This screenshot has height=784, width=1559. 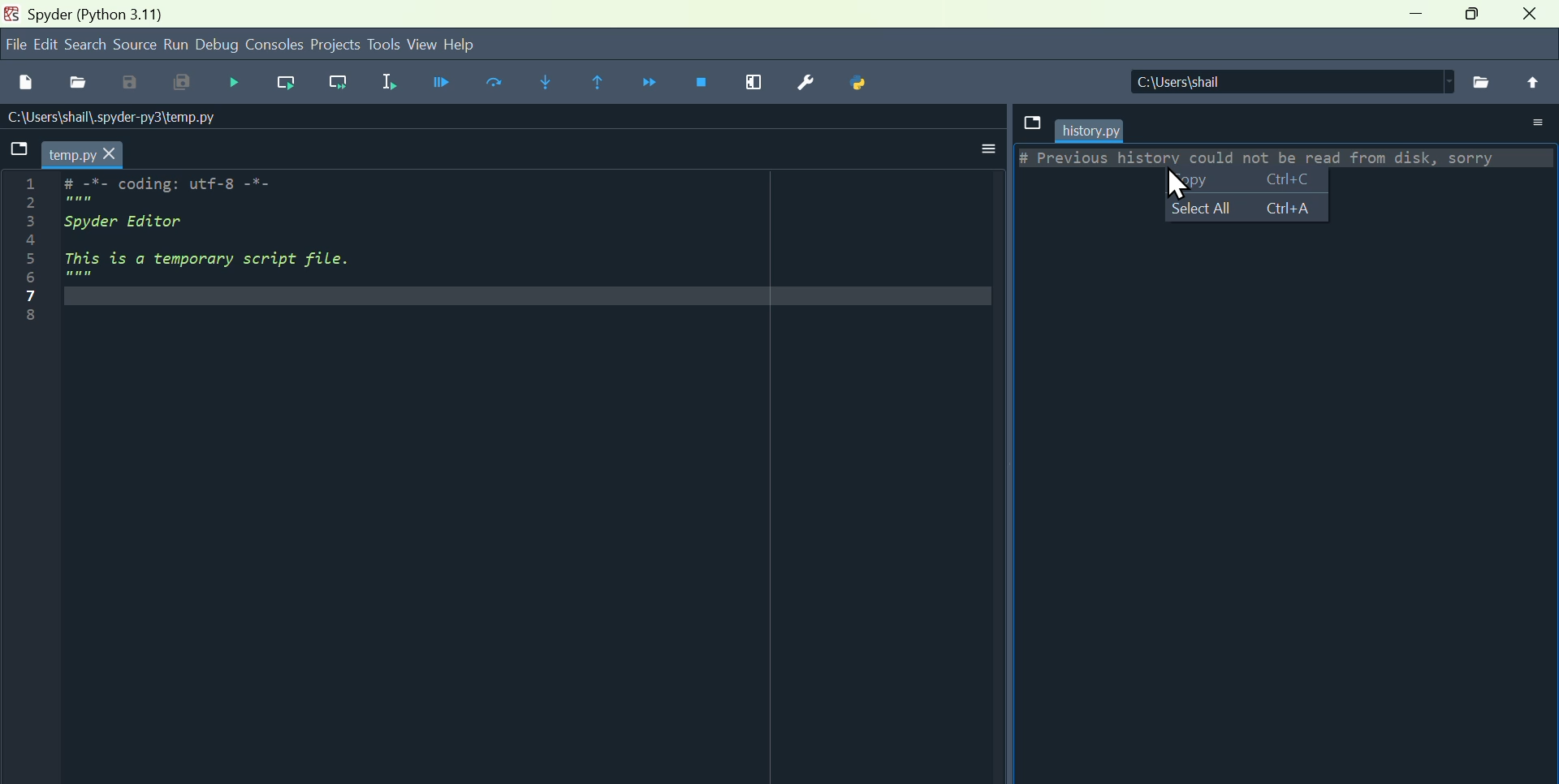 What do you see at coordinates (117, 118) in the screenshot?
I see `Name of the file` at bounding box center [117, 118].